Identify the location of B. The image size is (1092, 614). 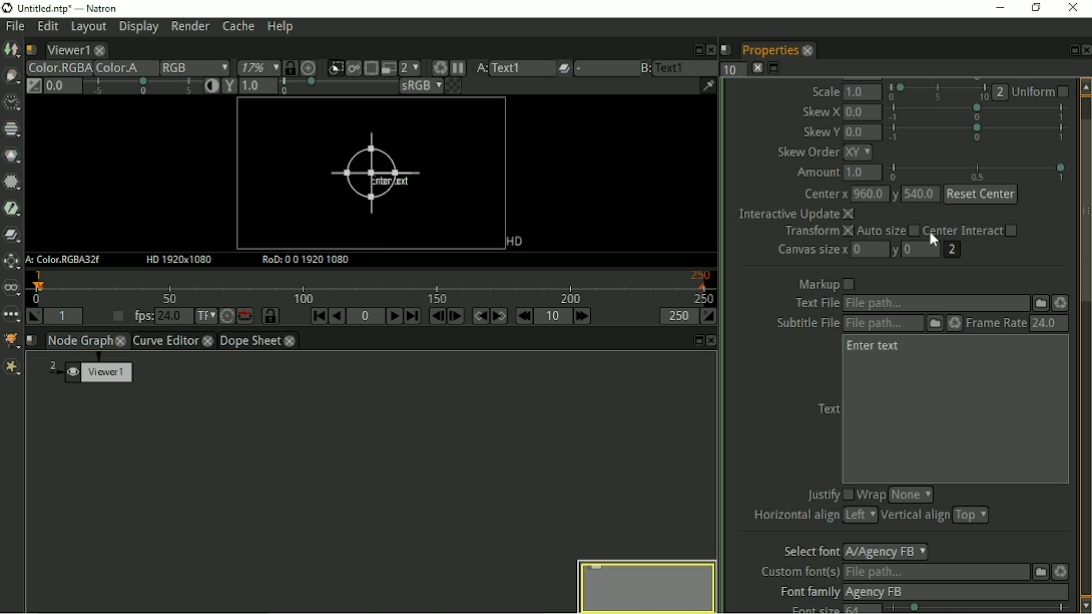
(644, 68).